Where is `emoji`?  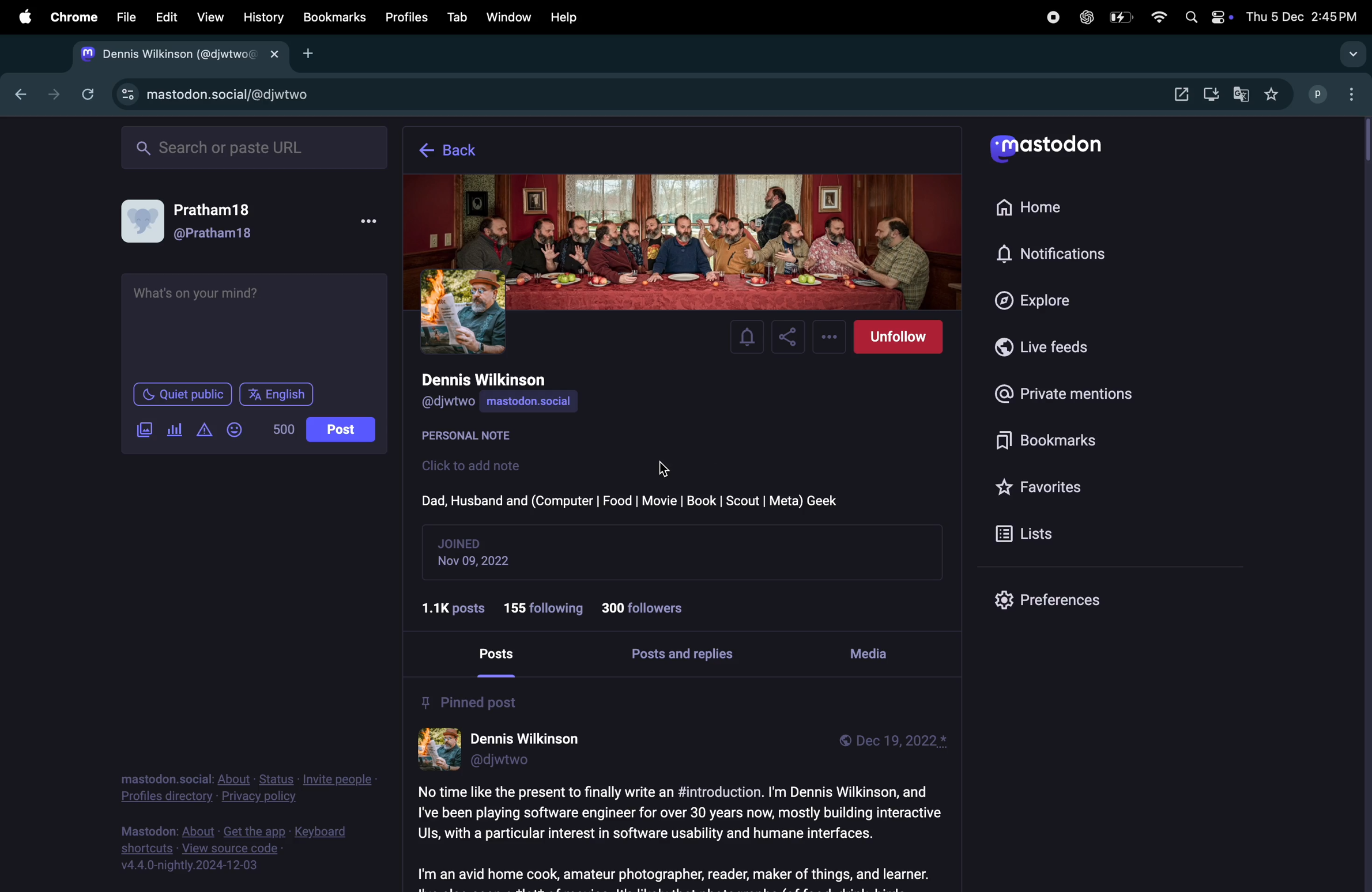
emoji is located at coordinates (235, 428).